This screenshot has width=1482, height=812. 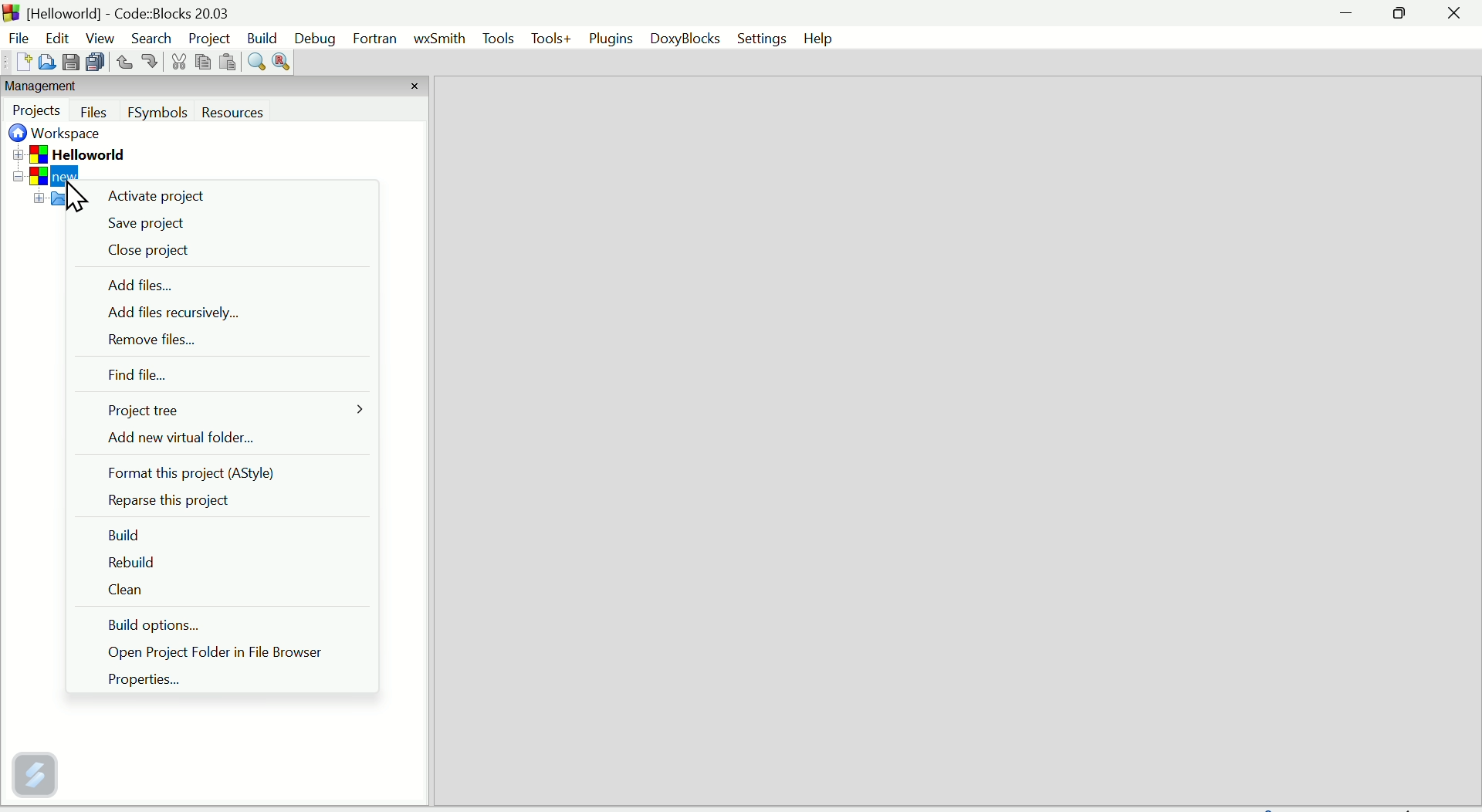 I want to click on Tools, so click(x=550, y=39).